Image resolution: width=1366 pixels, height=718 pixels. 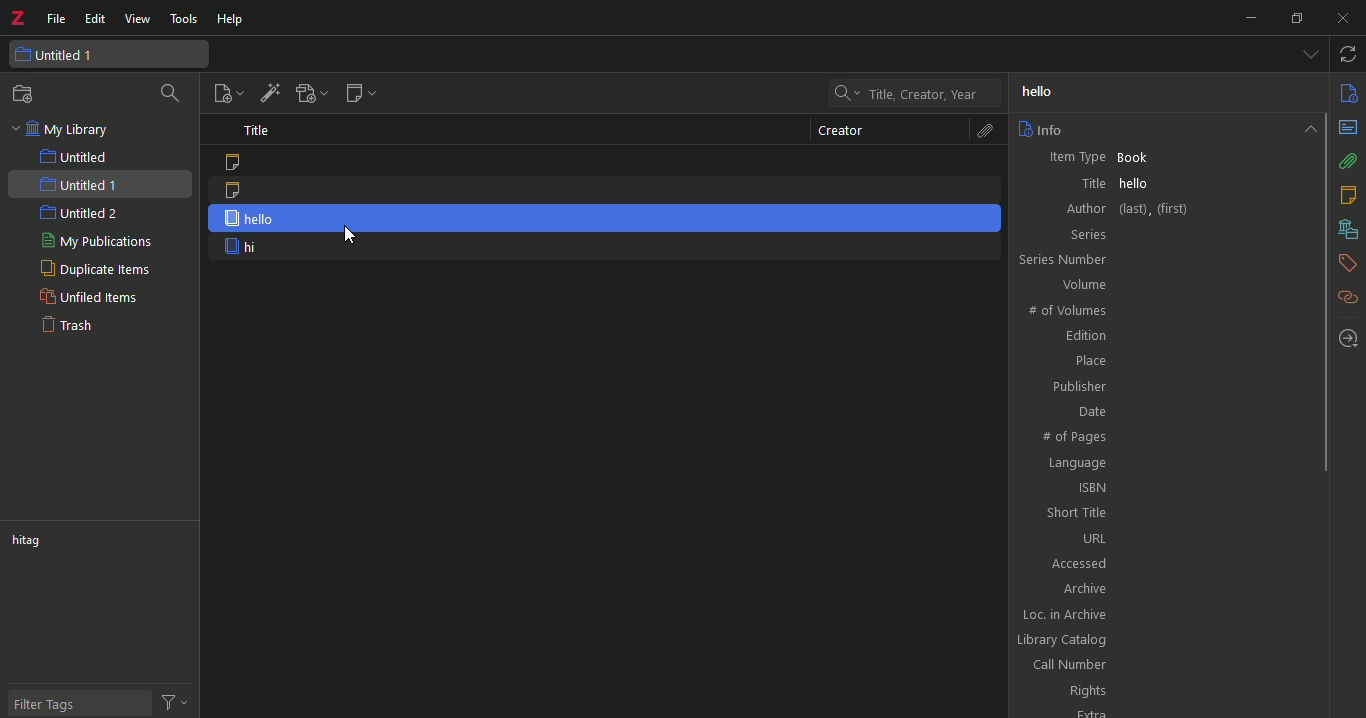 What do you see at coordinates (22, 96) in the screenshot?
I see `new collection` at bounding box center [22, 96].